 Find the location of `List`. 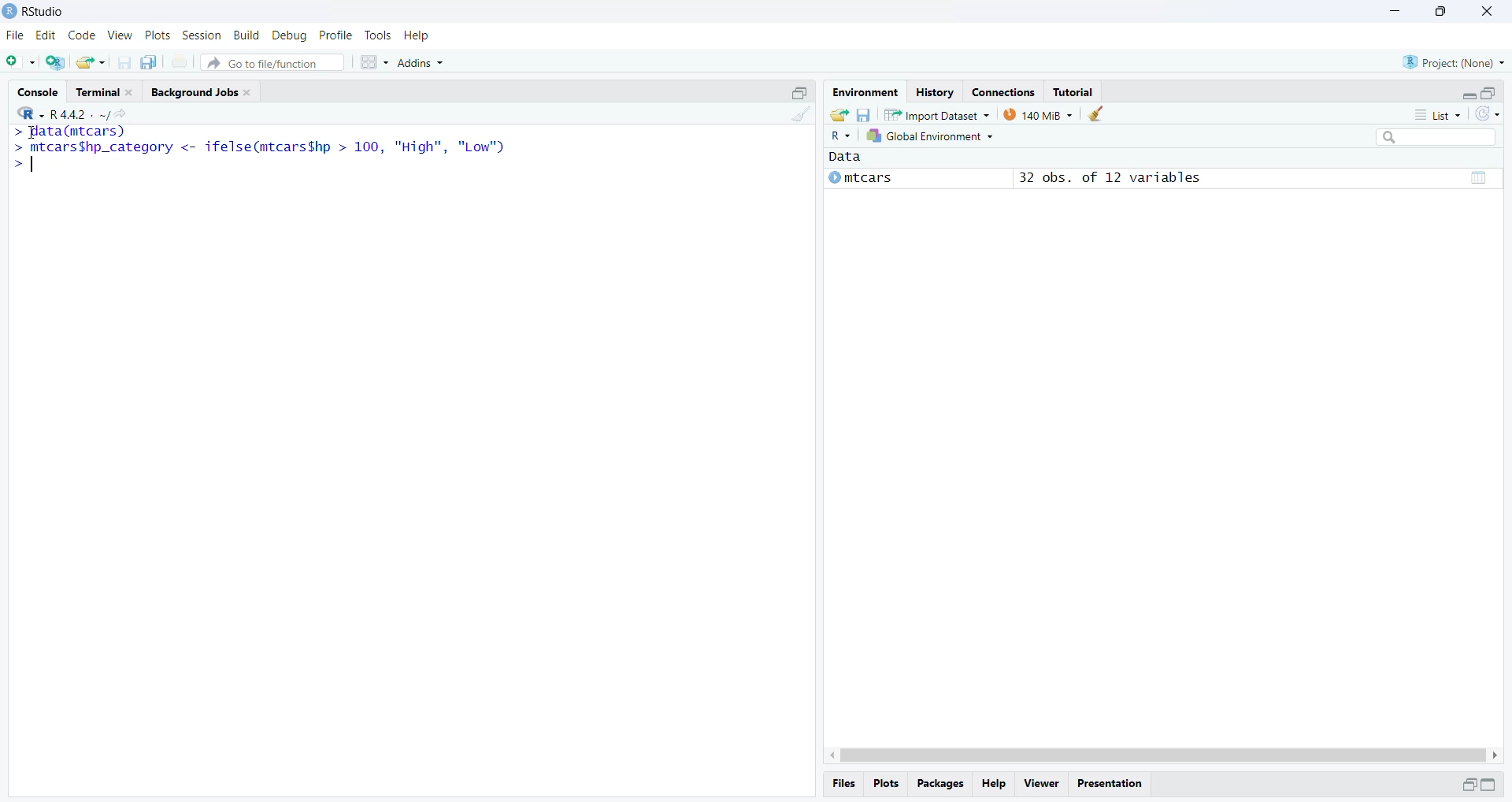

List is located at coordinates (1441, 115).